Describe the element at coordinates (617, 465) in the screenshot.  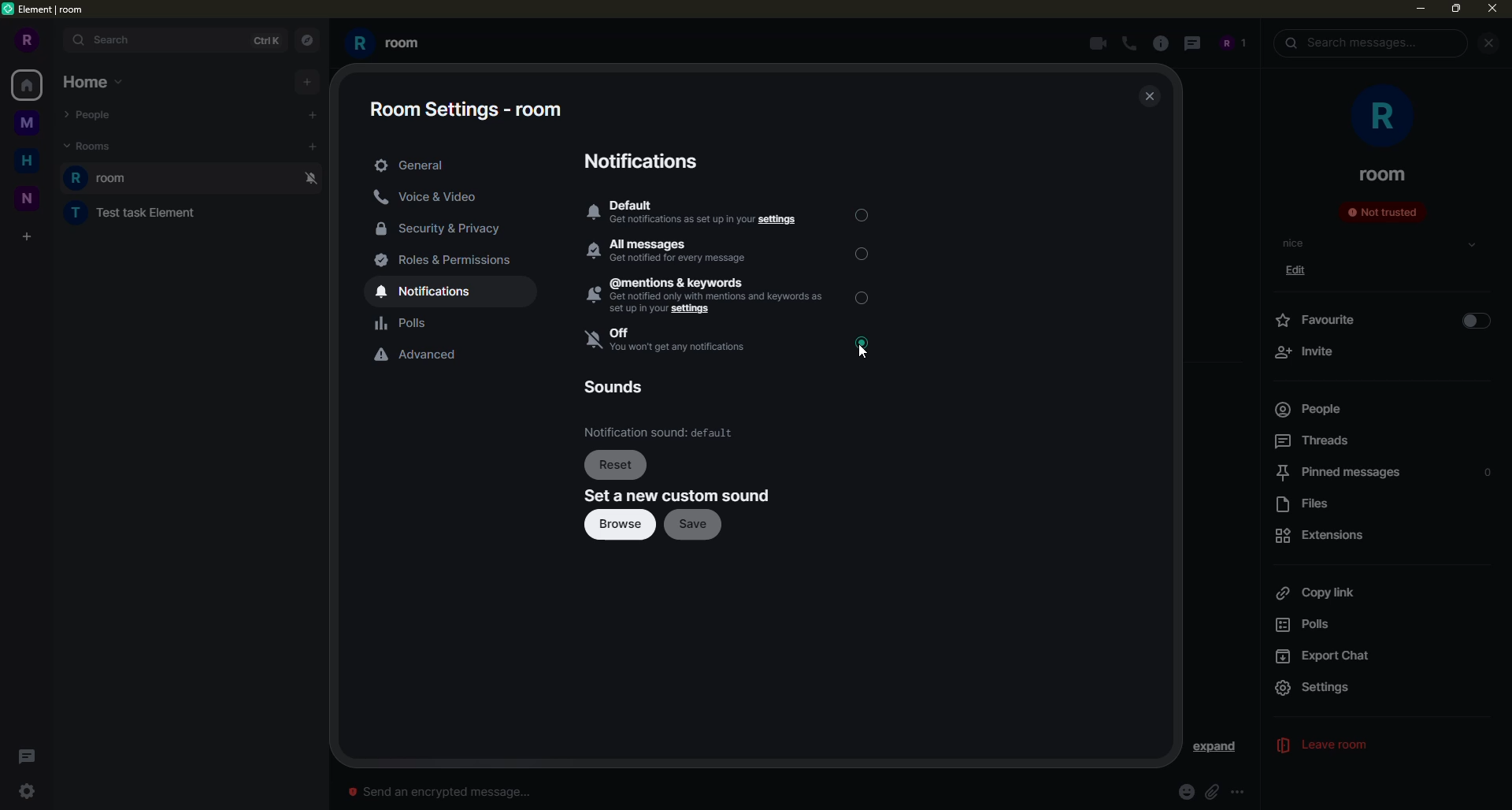
I see `reset` at that location.